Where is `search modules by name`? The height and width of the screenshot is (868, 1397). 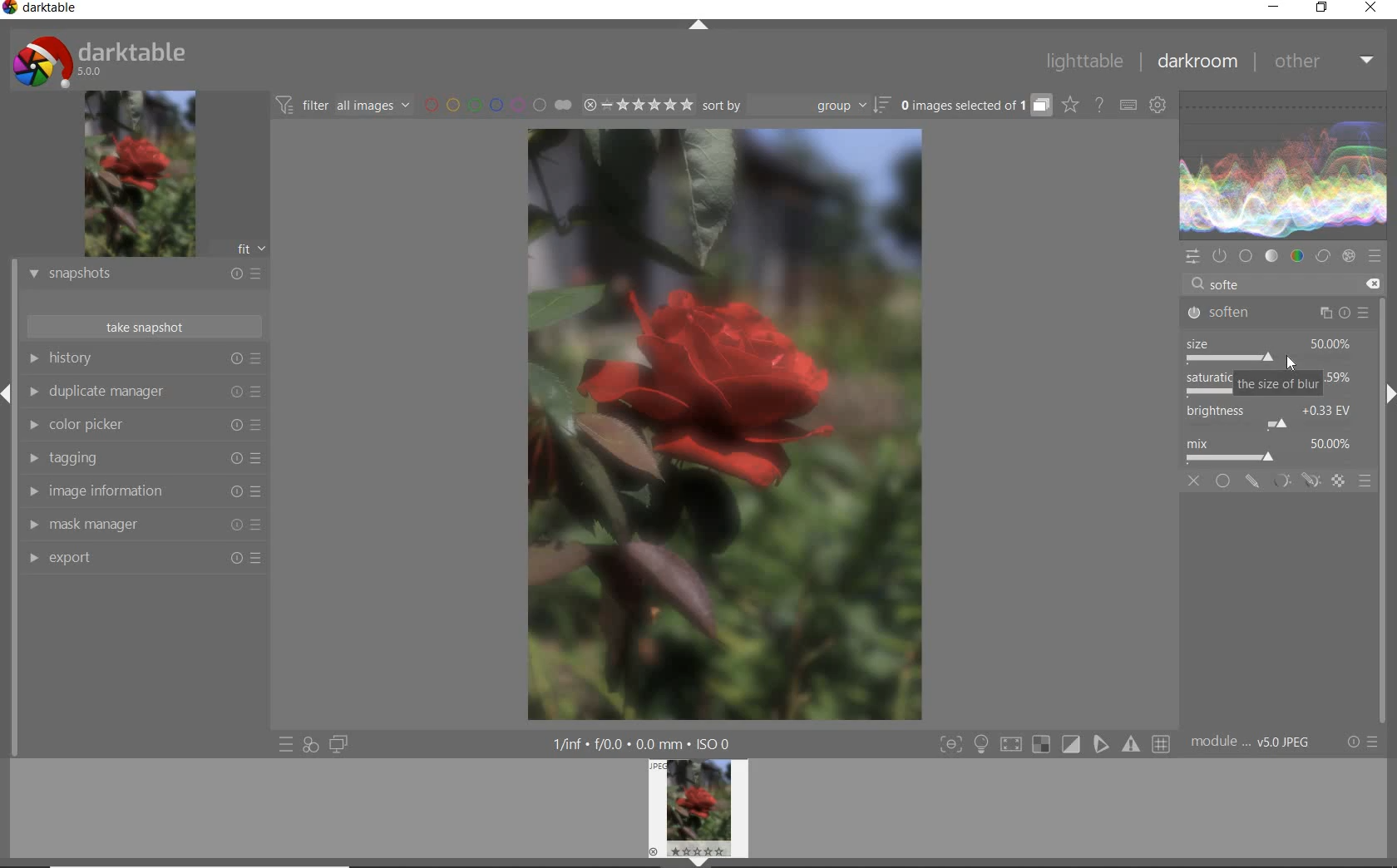 search modules by name is located at coordinates (1268, 279).